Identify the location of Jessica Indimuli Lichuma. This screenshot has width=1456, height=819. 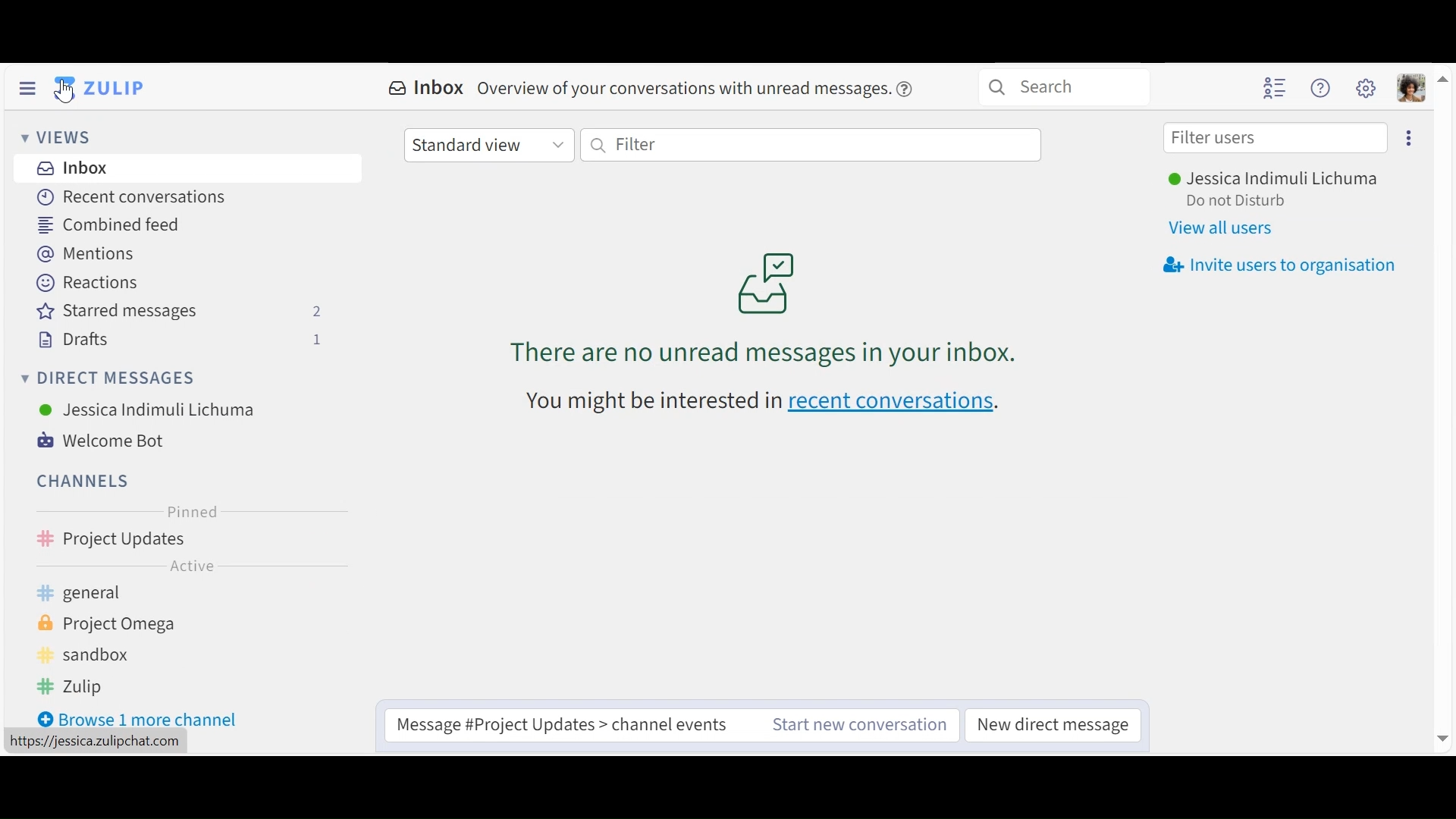
(151, 409).